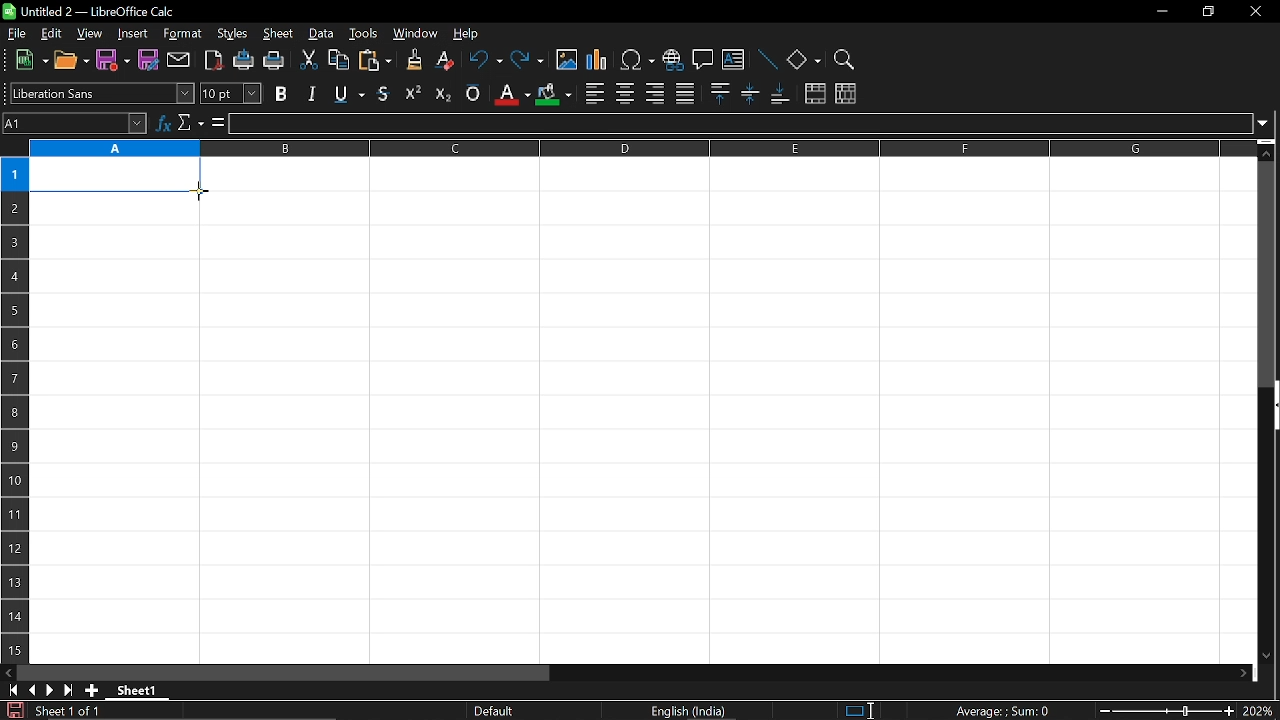  What do you see at coordinates (113, 61) in the screenshot?
I see `save` at bounding box center [113, 61].